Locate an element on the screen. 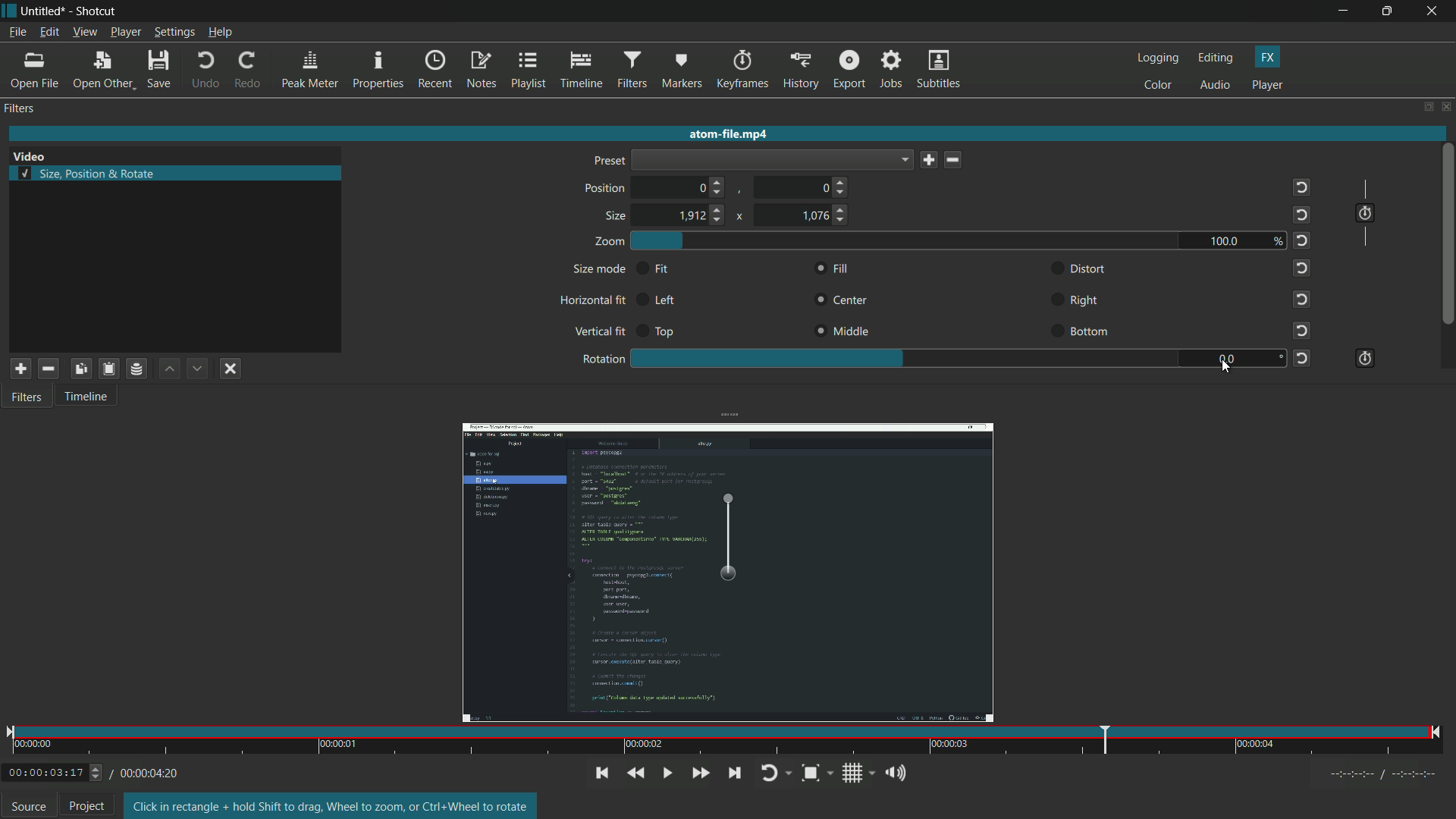 The width and height of the screenshot is (1456, 819). middle is located at coordinates (846, 330).